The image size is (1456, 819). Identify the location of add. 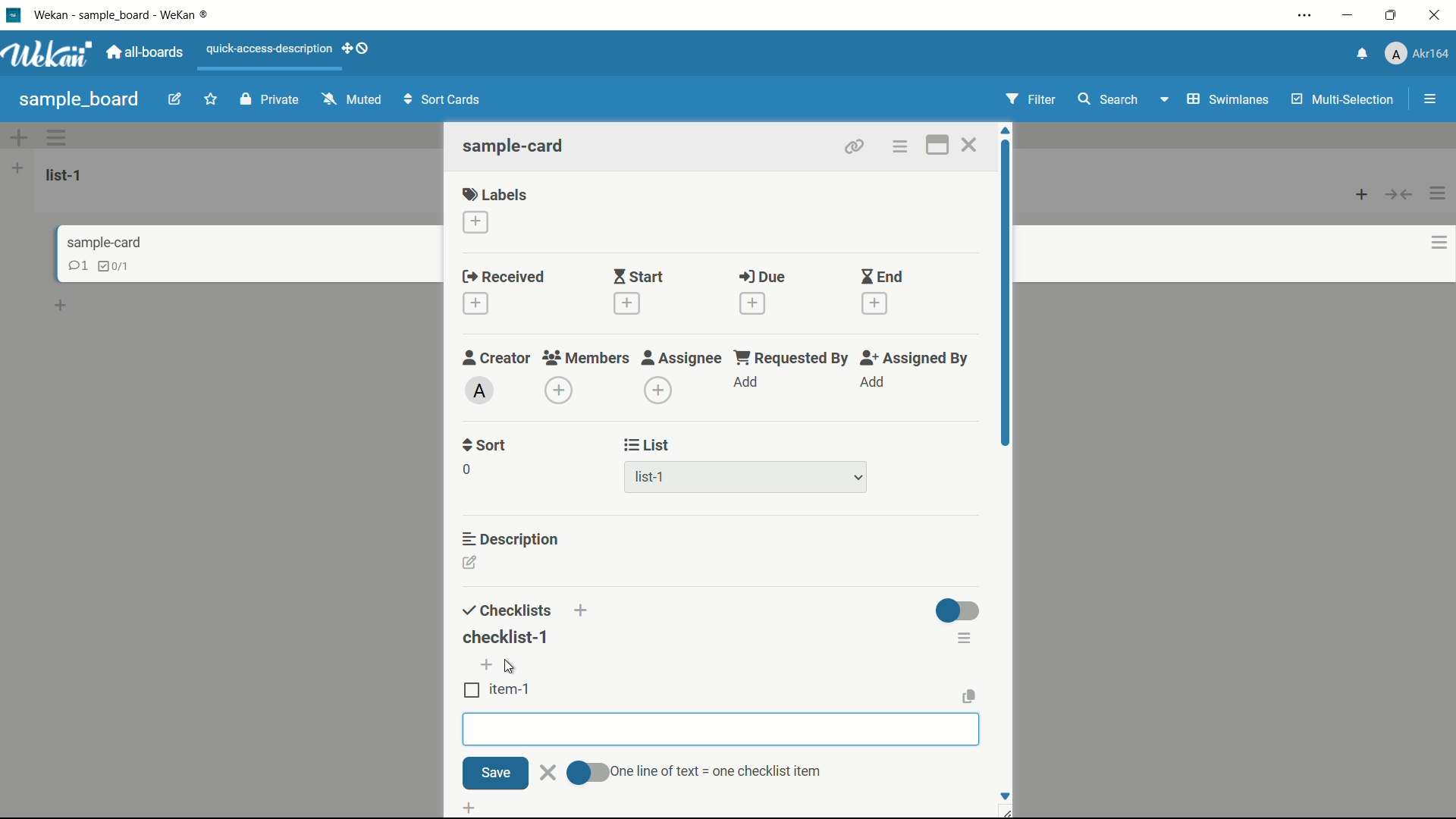
(874, 381).